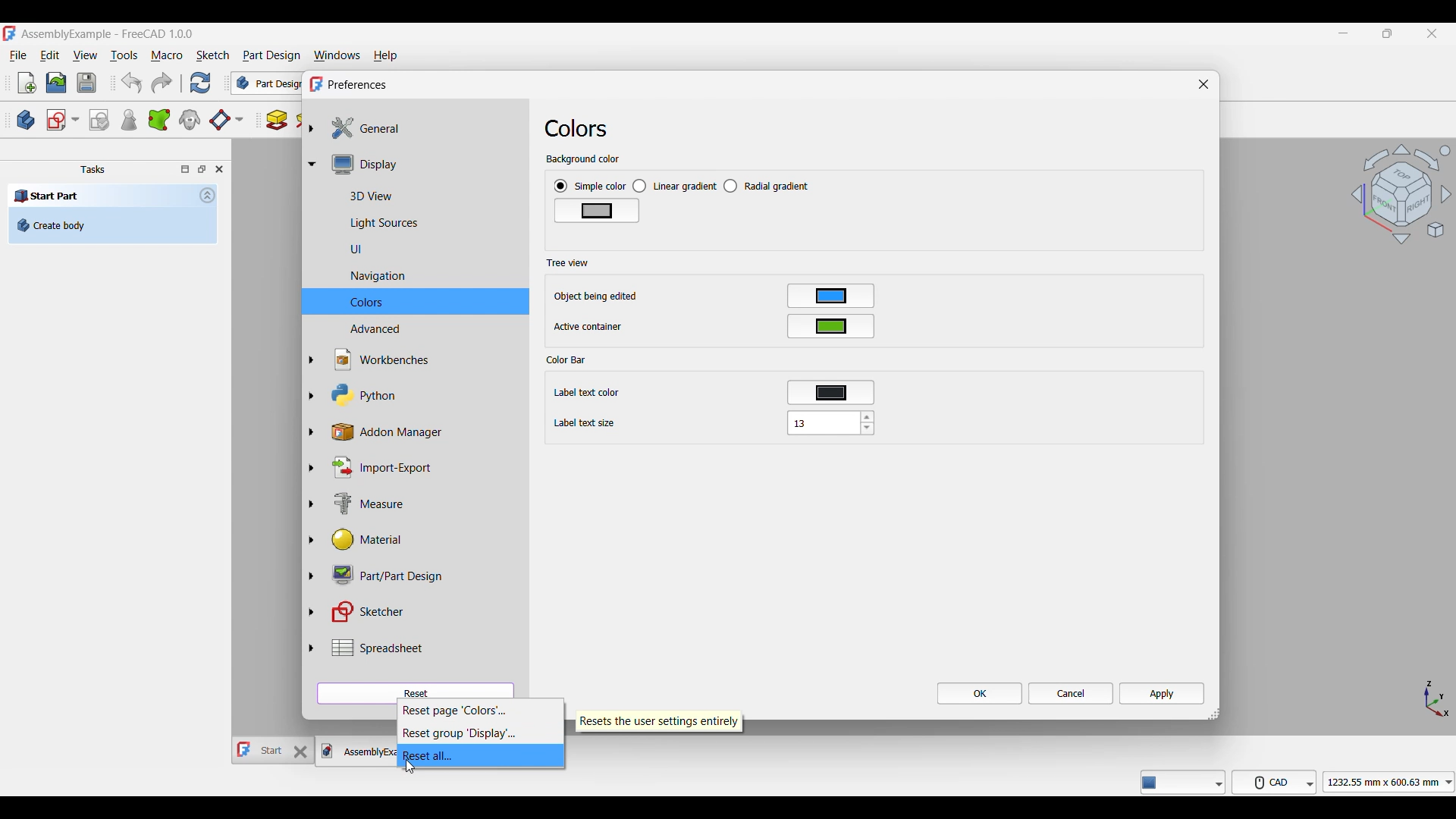 Image resolution: width=1456 pixels, height=819 pixels. I want to click on Sketch menu , so click(213, 55).